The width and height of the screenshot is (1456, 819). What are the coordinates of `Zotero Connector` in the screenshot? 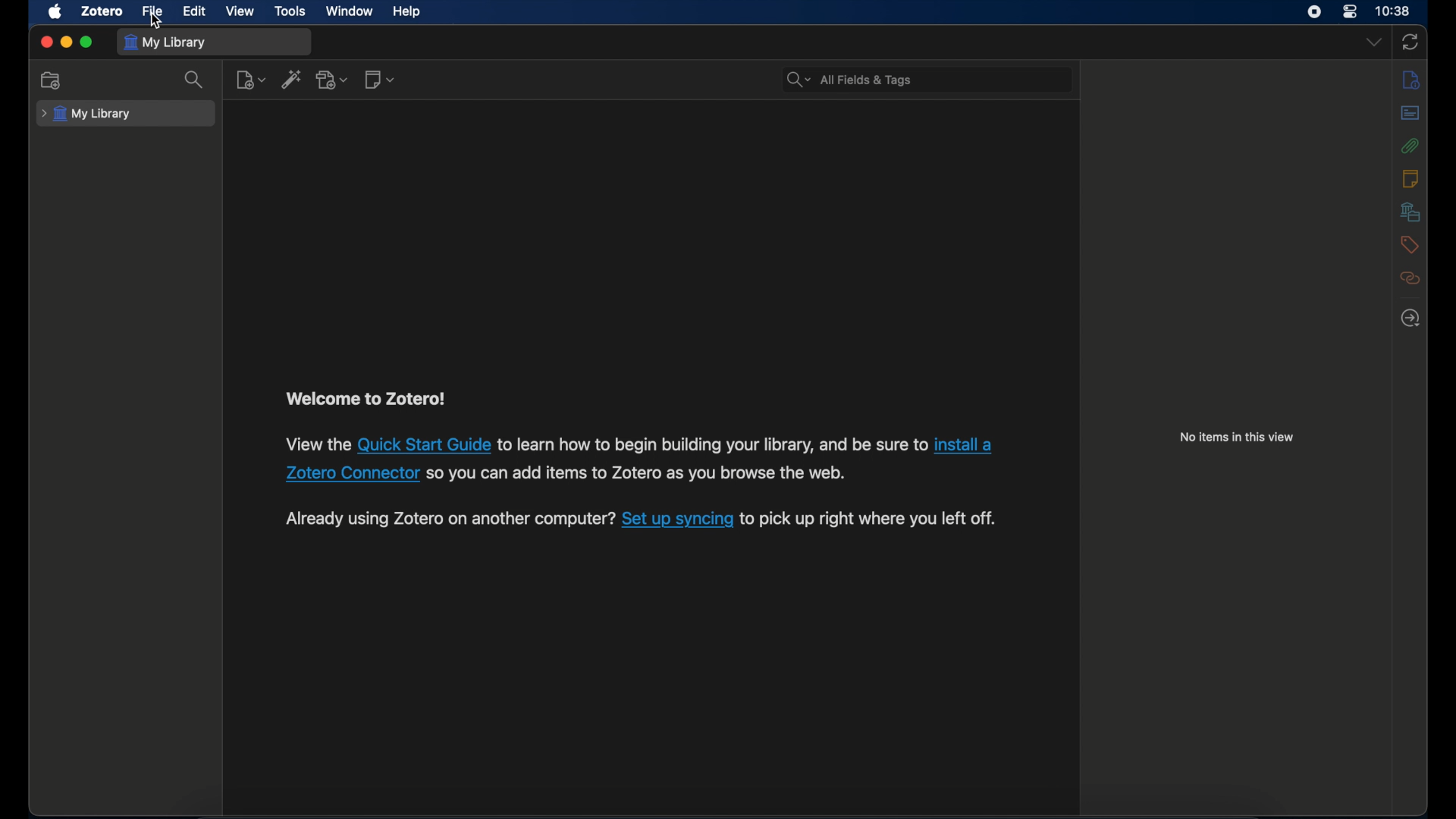 It's located at (352, 475).